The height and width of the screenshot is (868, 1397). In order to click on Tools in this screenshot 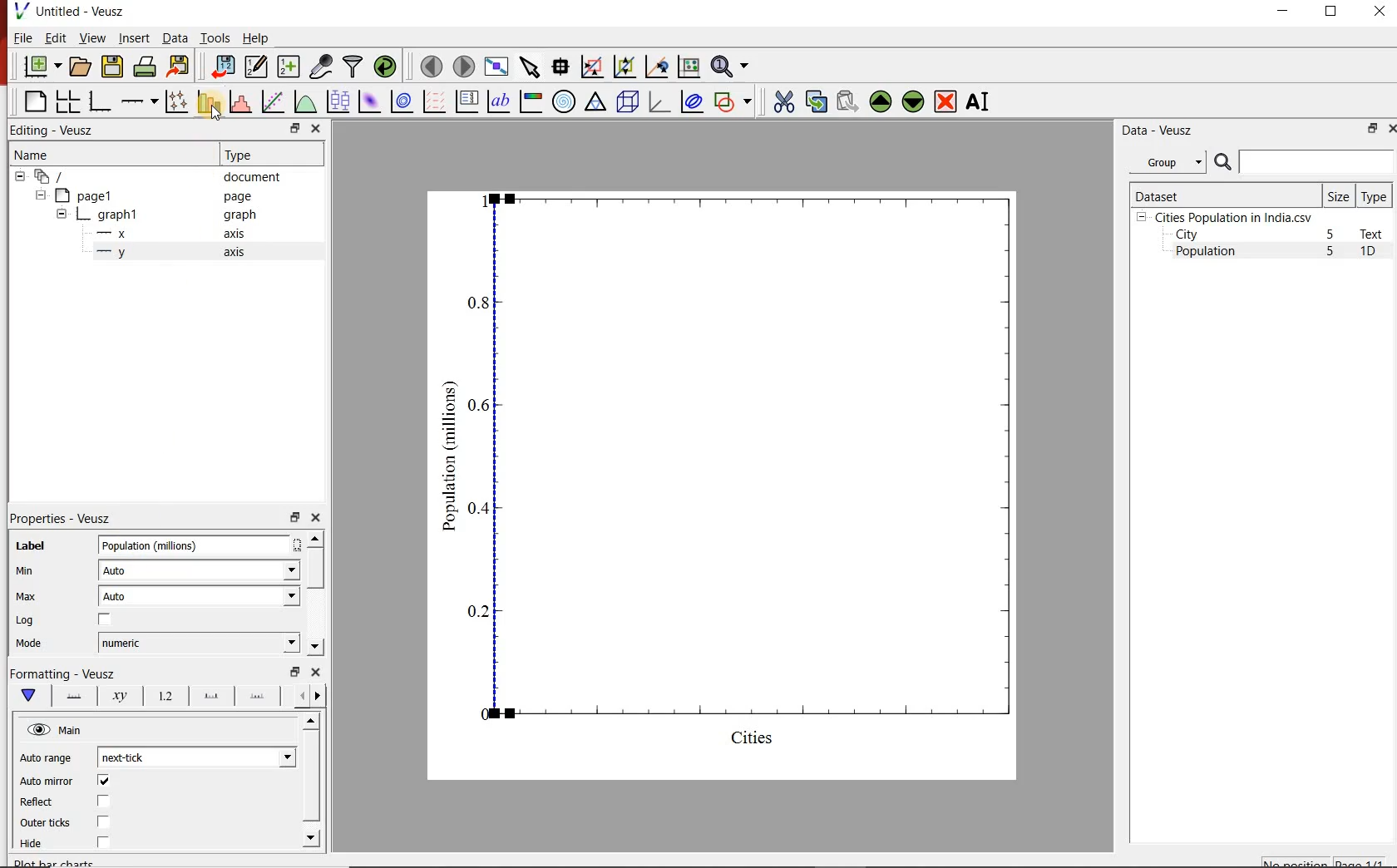, I will do `click(214, 37)`.